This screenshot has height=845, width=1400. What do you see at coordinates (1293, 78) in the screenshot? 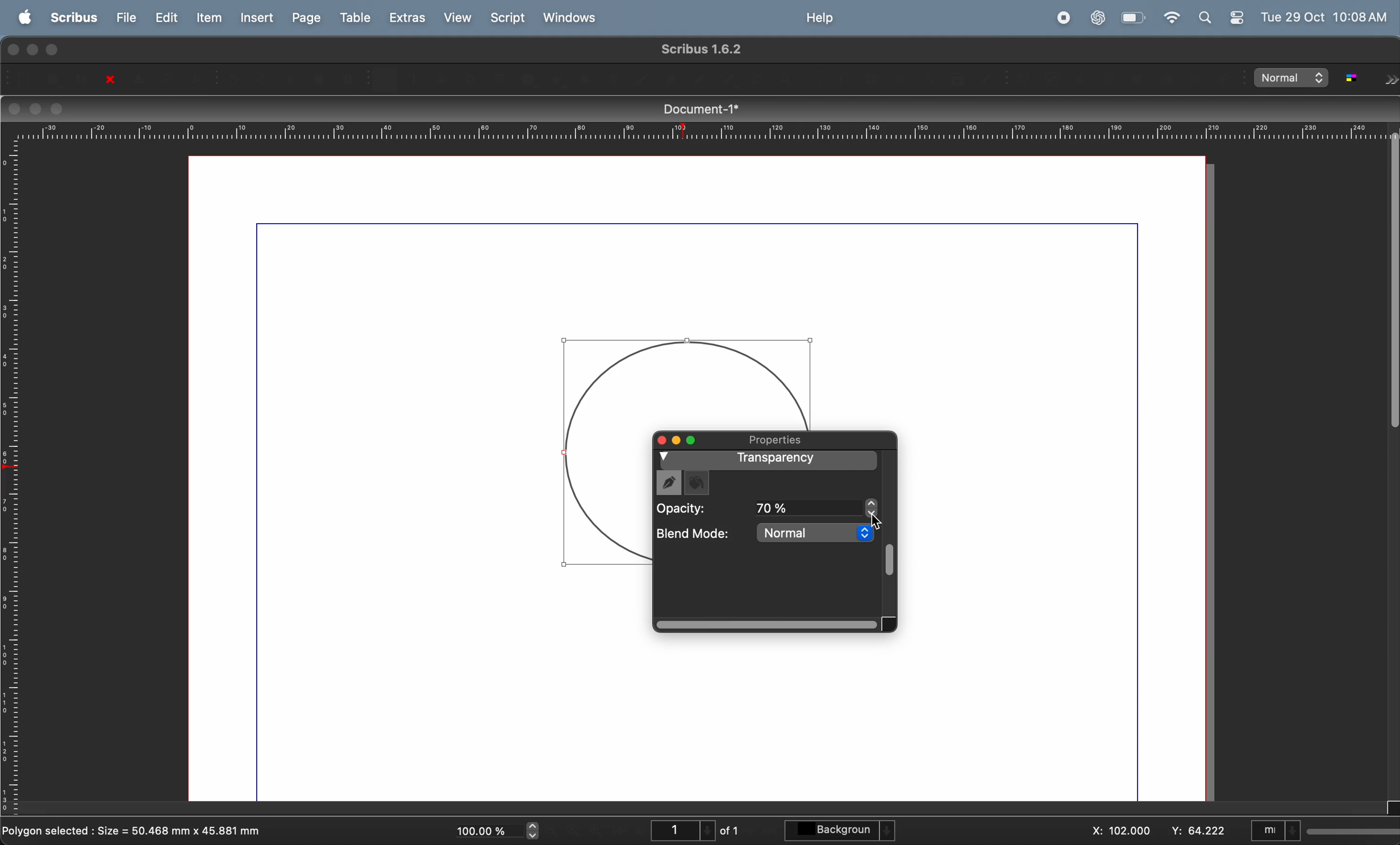
I see `select image preview` at bounding box center [1293, 78].